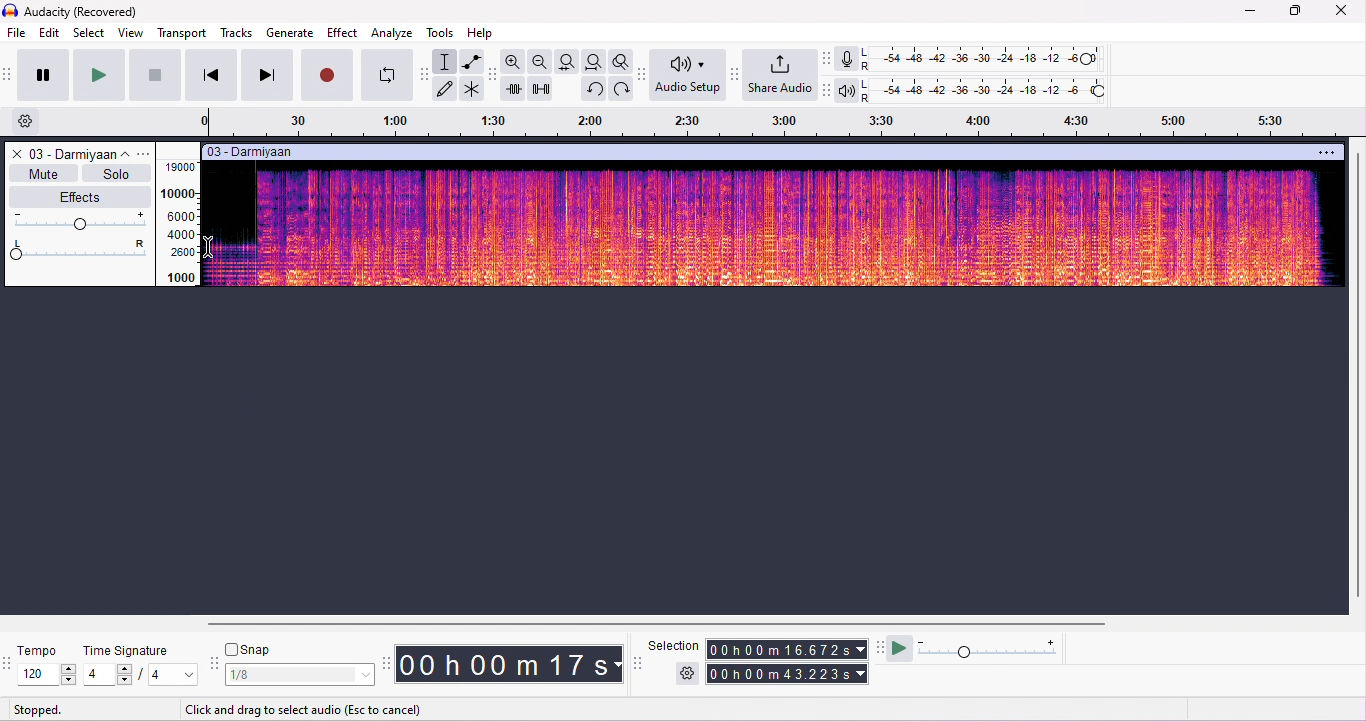  What do you see at coordinates (567, 62) in the screenshot?
I see `fit selection to width` at bounding box center [567, 62].